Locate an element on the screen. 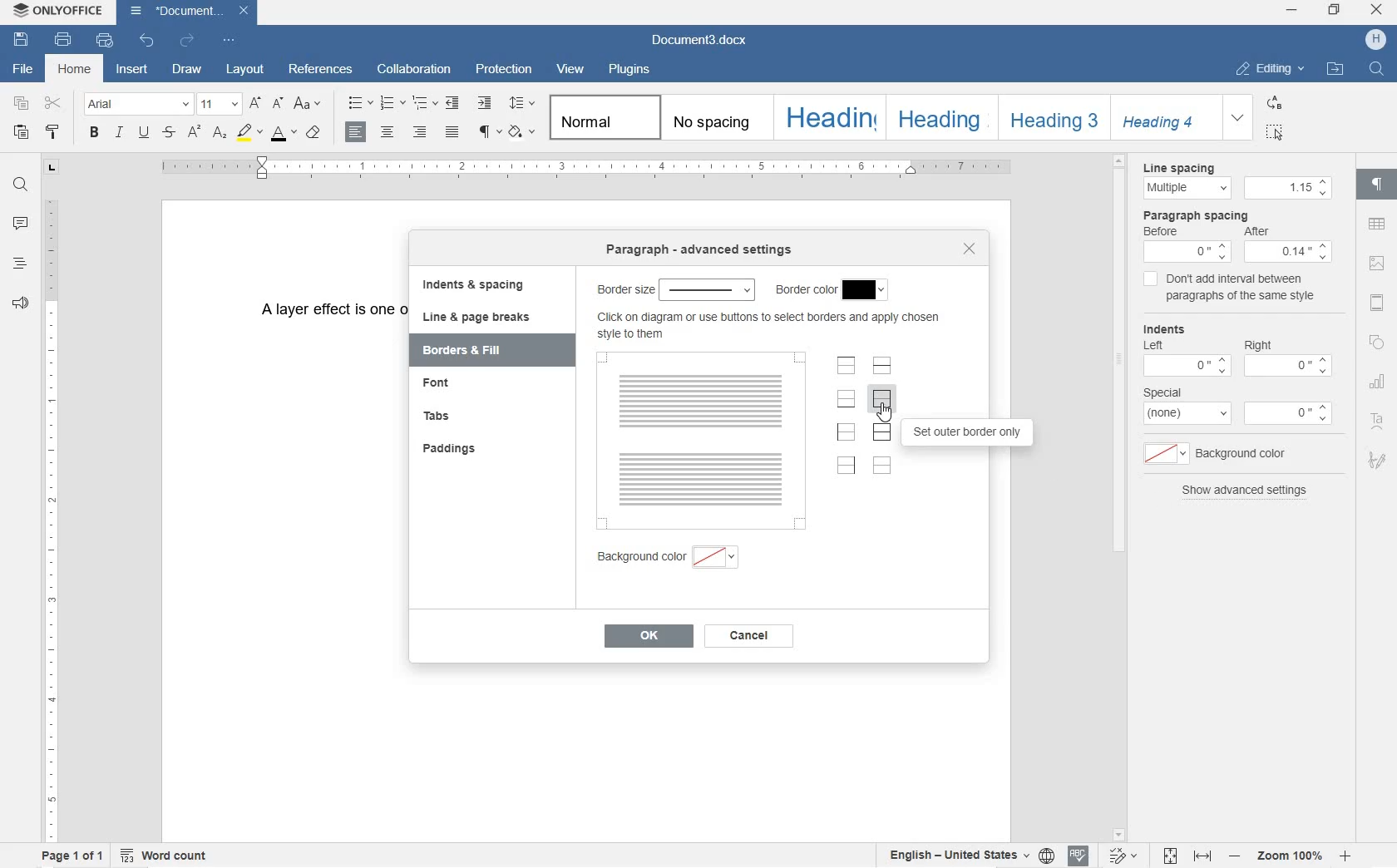 Image resolution: width=1397 pixels, height=868 pixels. FIT PAGE OR WIDTH is located at coordinates (1188, 857).